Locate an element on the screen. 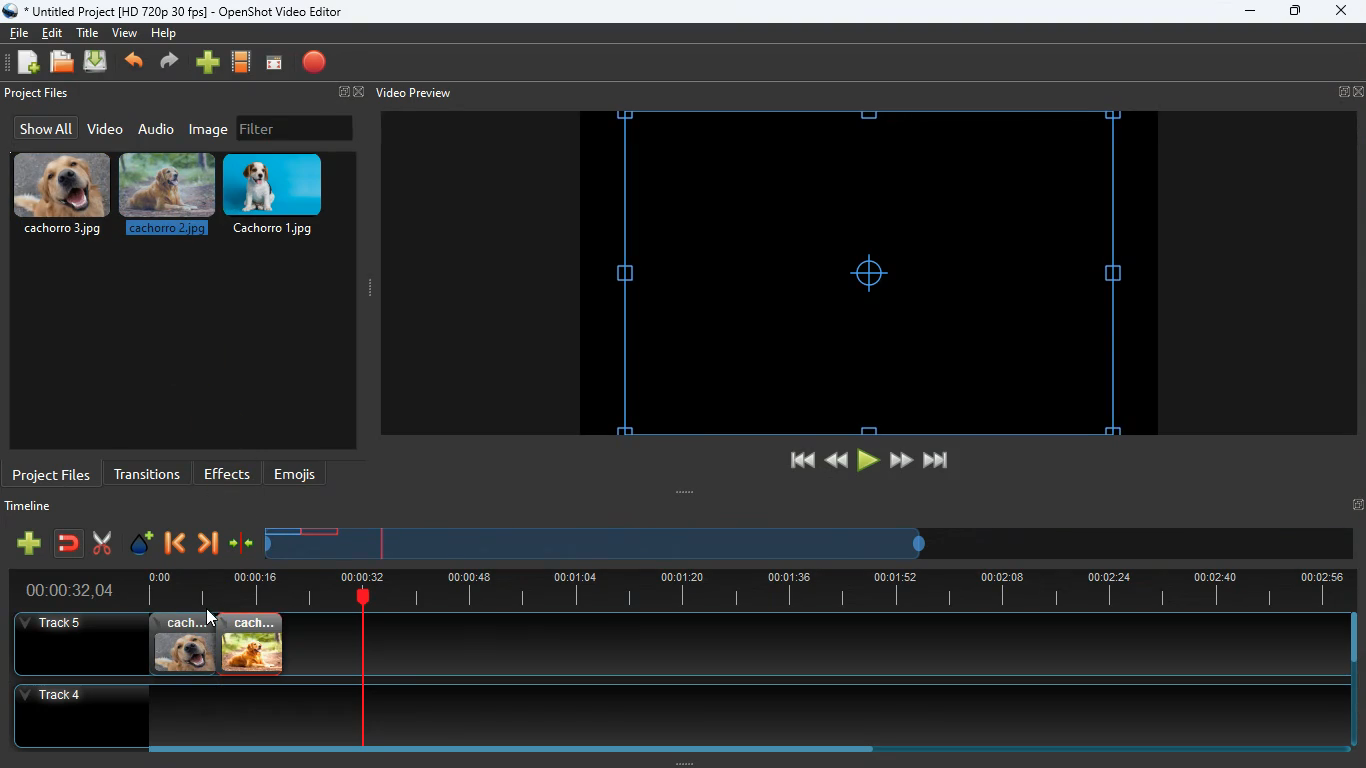 This screenshot has width=1366, height=768. screen is located at coordinates (274, 64).